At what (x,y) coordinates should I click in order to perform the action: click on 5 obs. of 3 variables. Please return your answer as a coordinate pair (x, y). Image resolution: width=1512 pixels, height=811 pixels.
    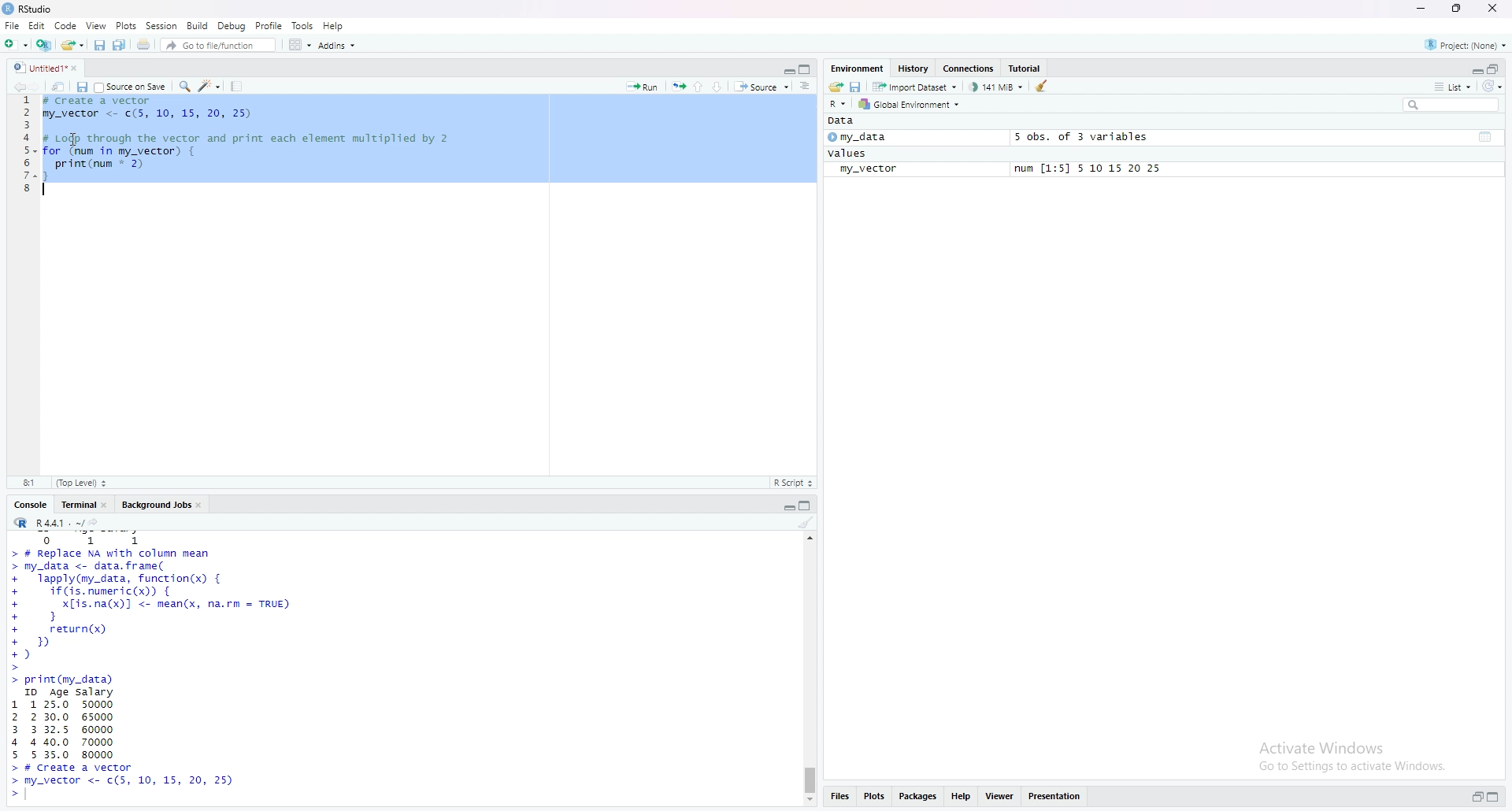
    Looking at the image, I should click on (1081, 137).